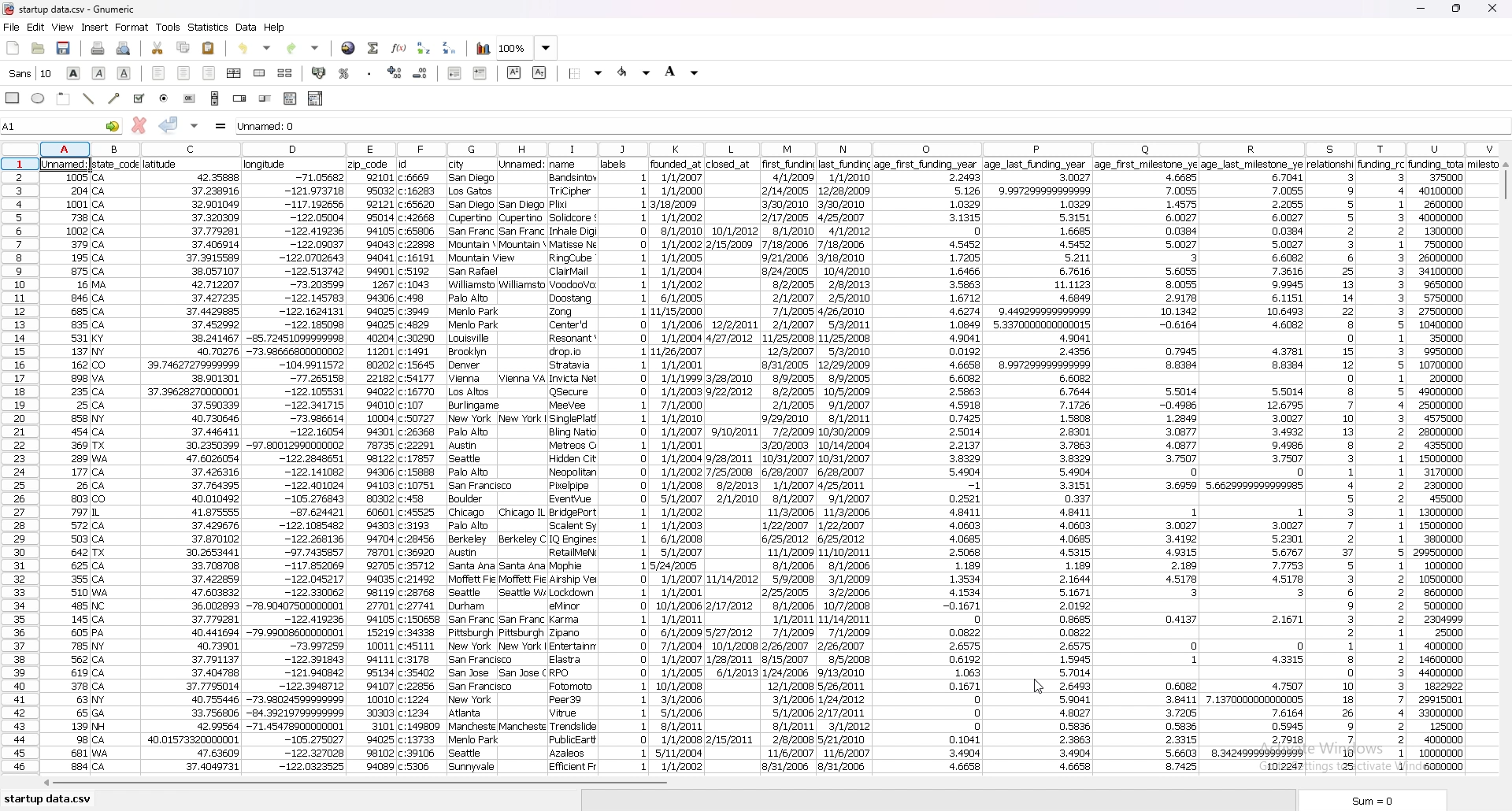  Describe the element at coordinates (372, 467) in the screenshot. I see `data` at that location.